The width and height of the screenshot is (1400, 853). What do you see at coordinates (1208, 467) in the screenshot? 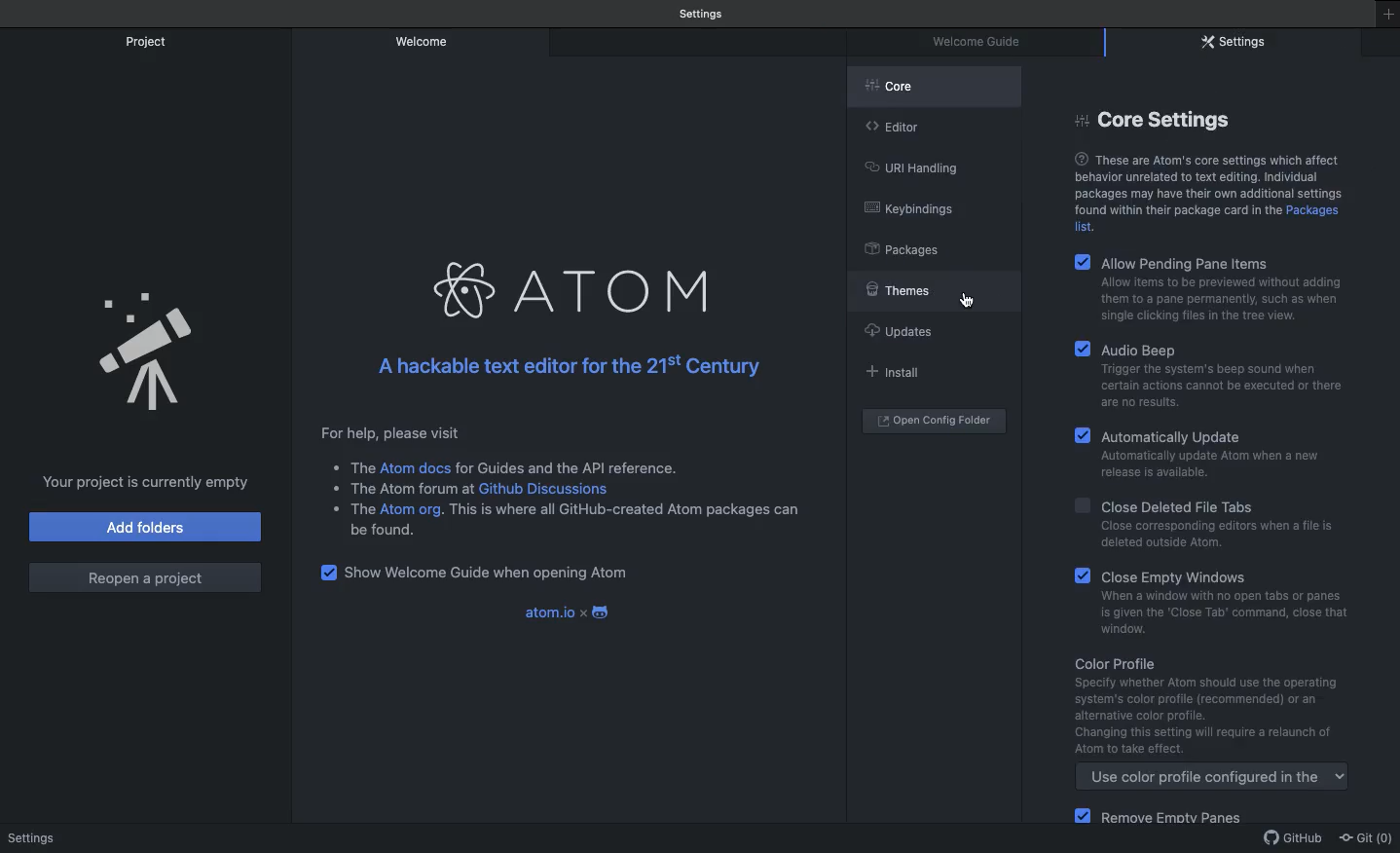
I see `Automatically update Atom when a new
release is available.` at bounding box center [1208, 467].